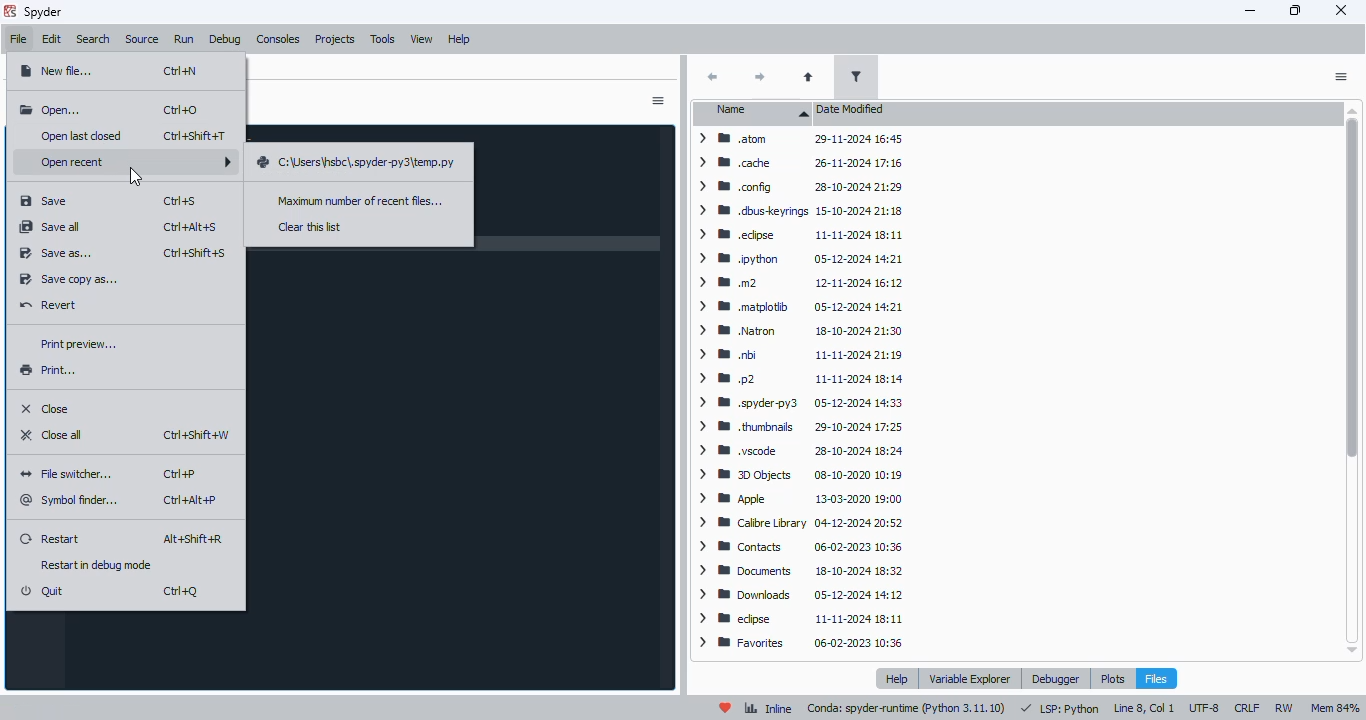  I want to click on > BW matplotib 05-12-2024 14:21, so click(797, 306).